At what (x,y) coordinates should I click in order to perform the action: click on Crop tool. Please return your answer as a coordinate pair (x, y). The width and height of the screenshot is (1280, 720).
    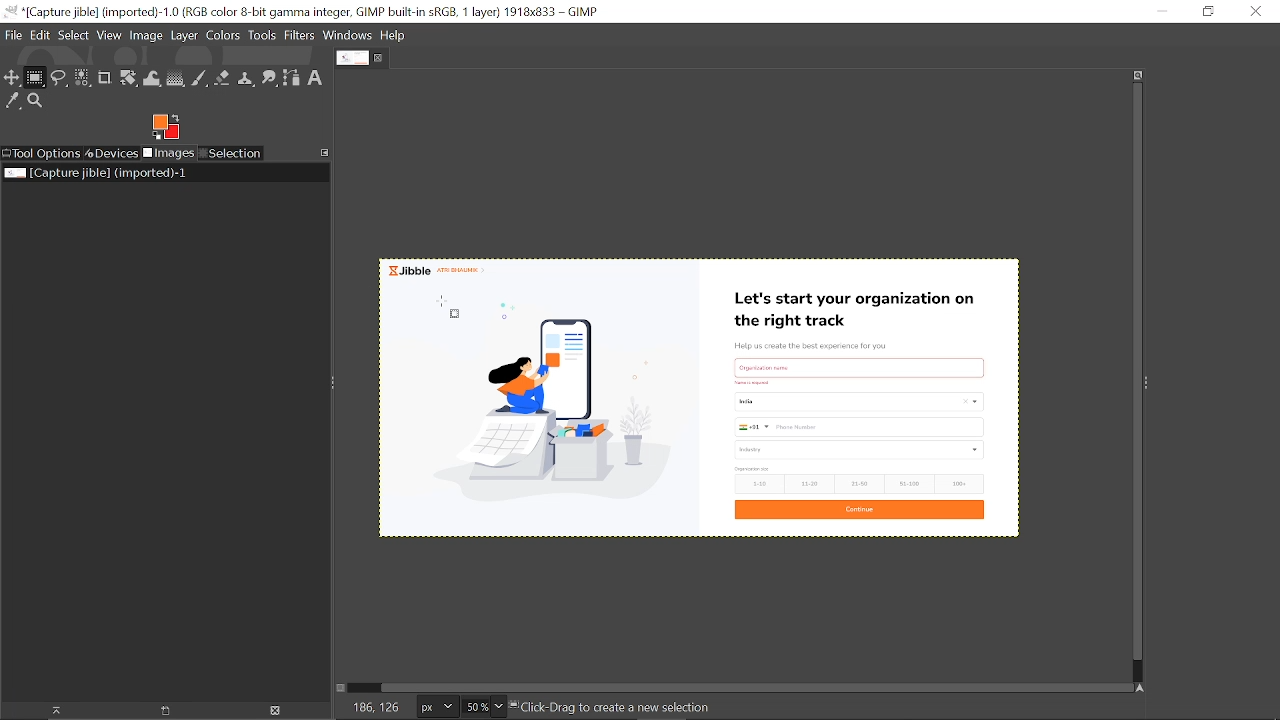
    Looking at the image, I should click on (104, 79).